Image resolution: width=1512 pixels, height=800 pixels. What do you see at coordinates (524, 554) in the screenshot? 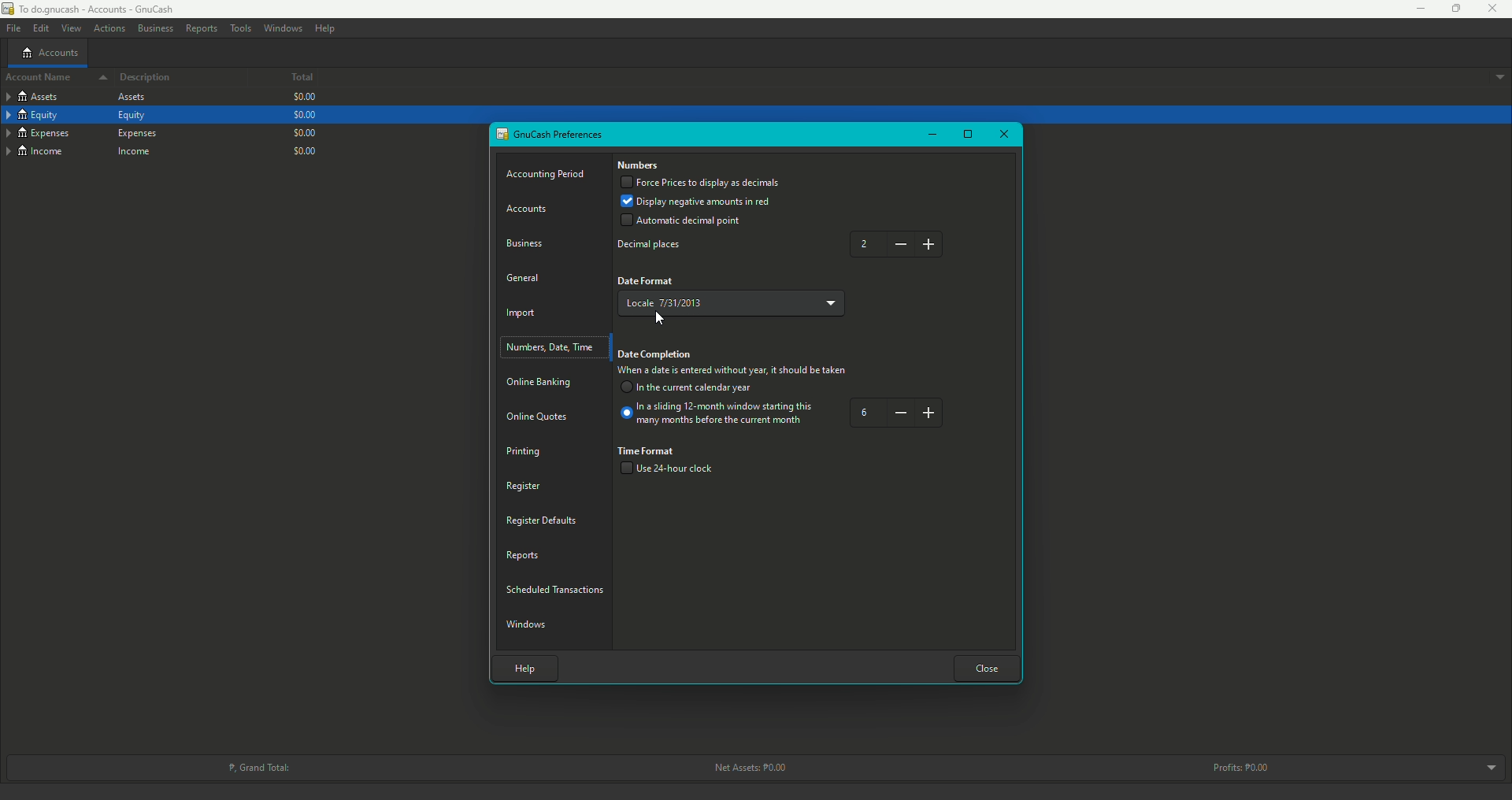
I see `Report` at bounding box center [524, 554].